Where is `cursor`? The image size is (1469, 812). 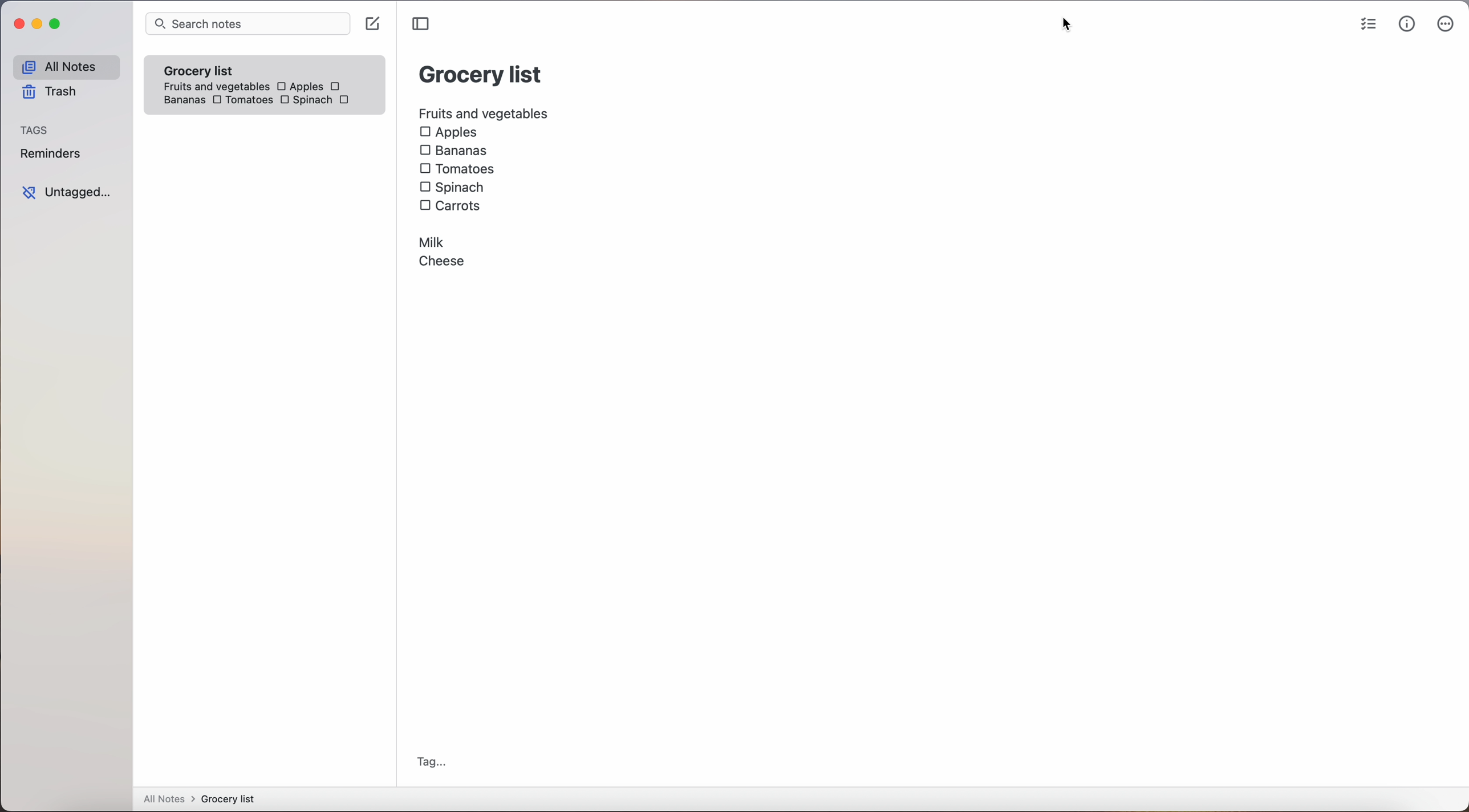 cursor is located at coordinates (1072, 25).